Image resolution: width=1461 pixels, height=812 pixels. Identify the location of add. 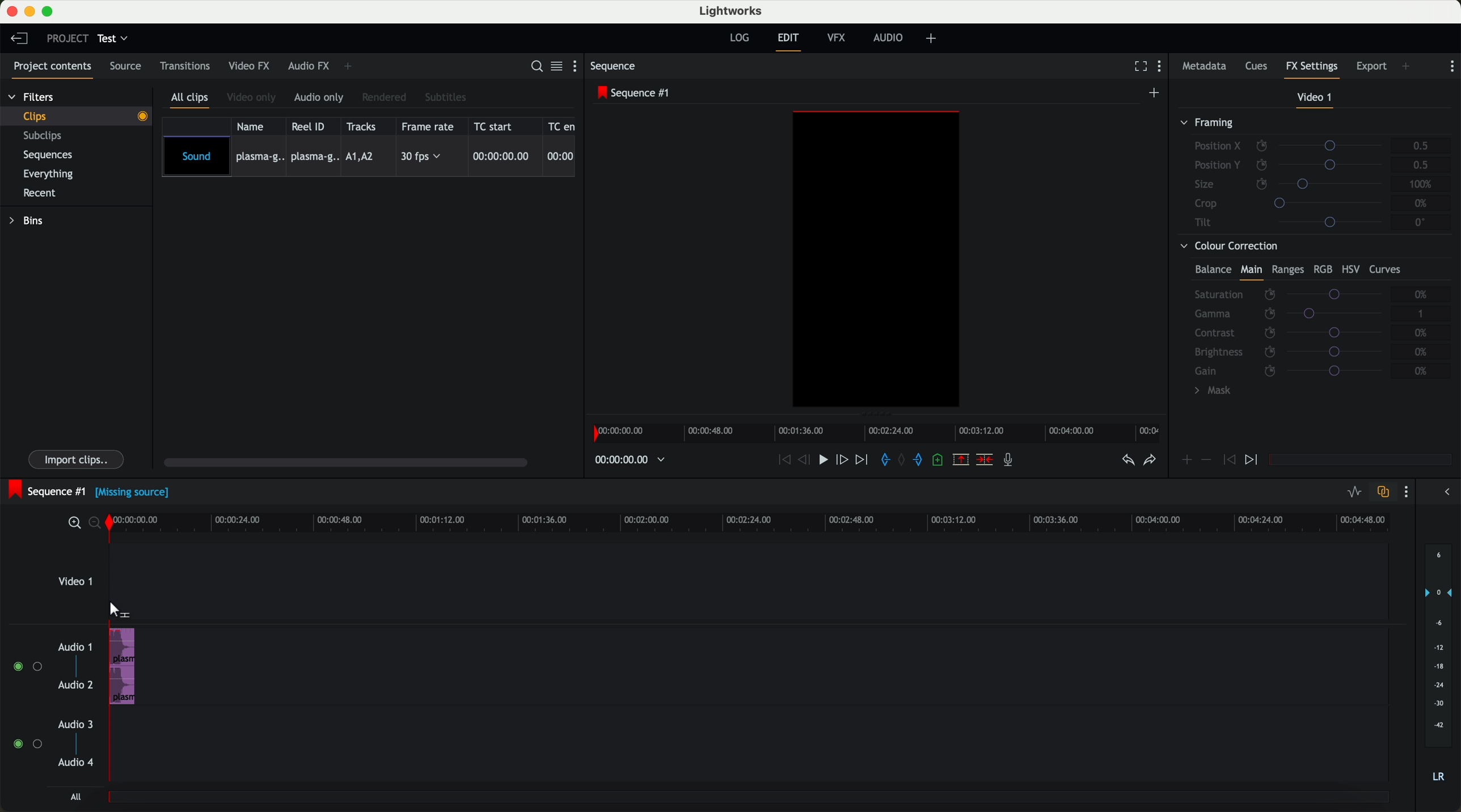
(1407, 66).